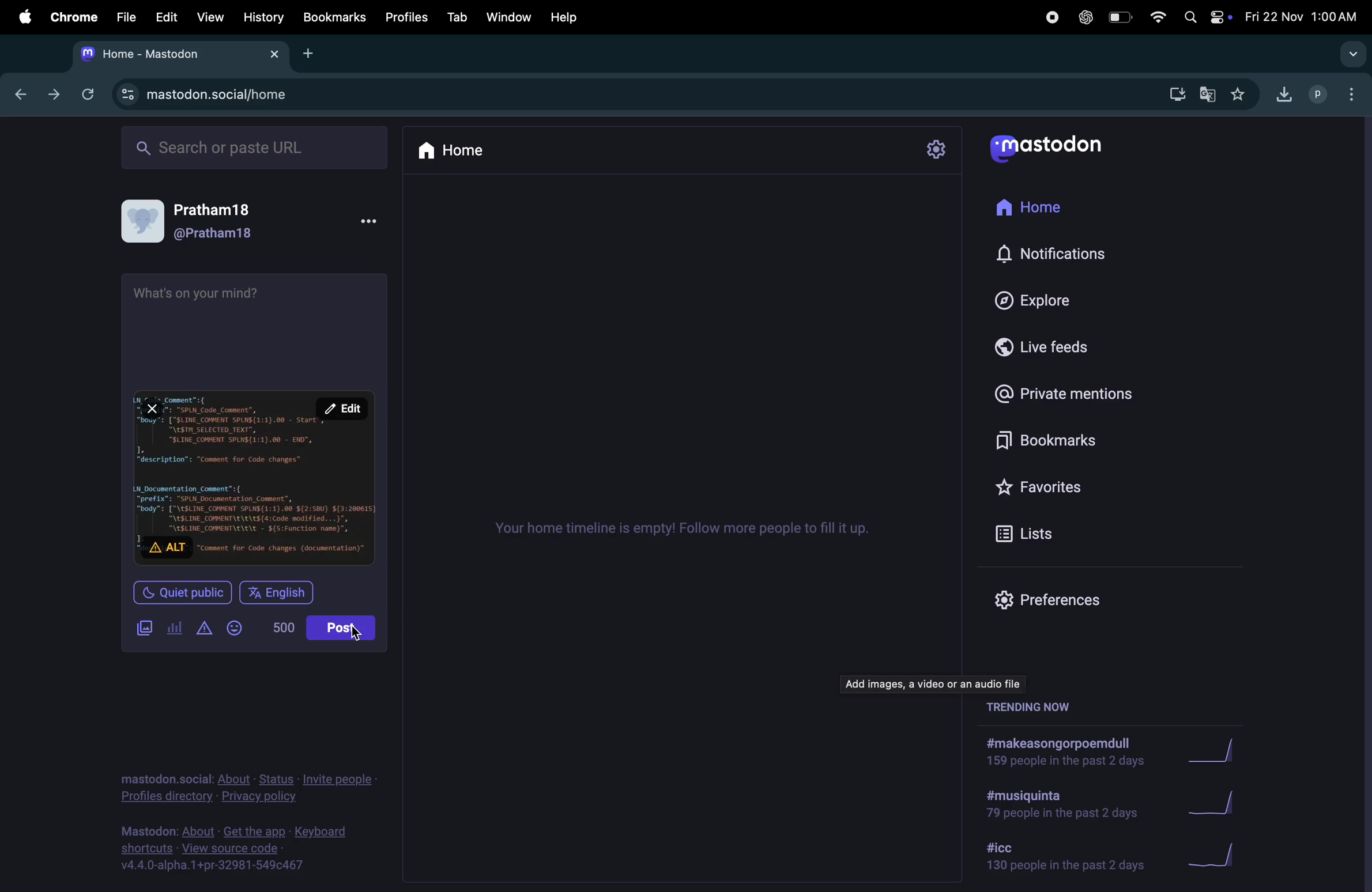  Describe the element at coordinates (55, 96) in the screenshot. I see `forward` at that location.